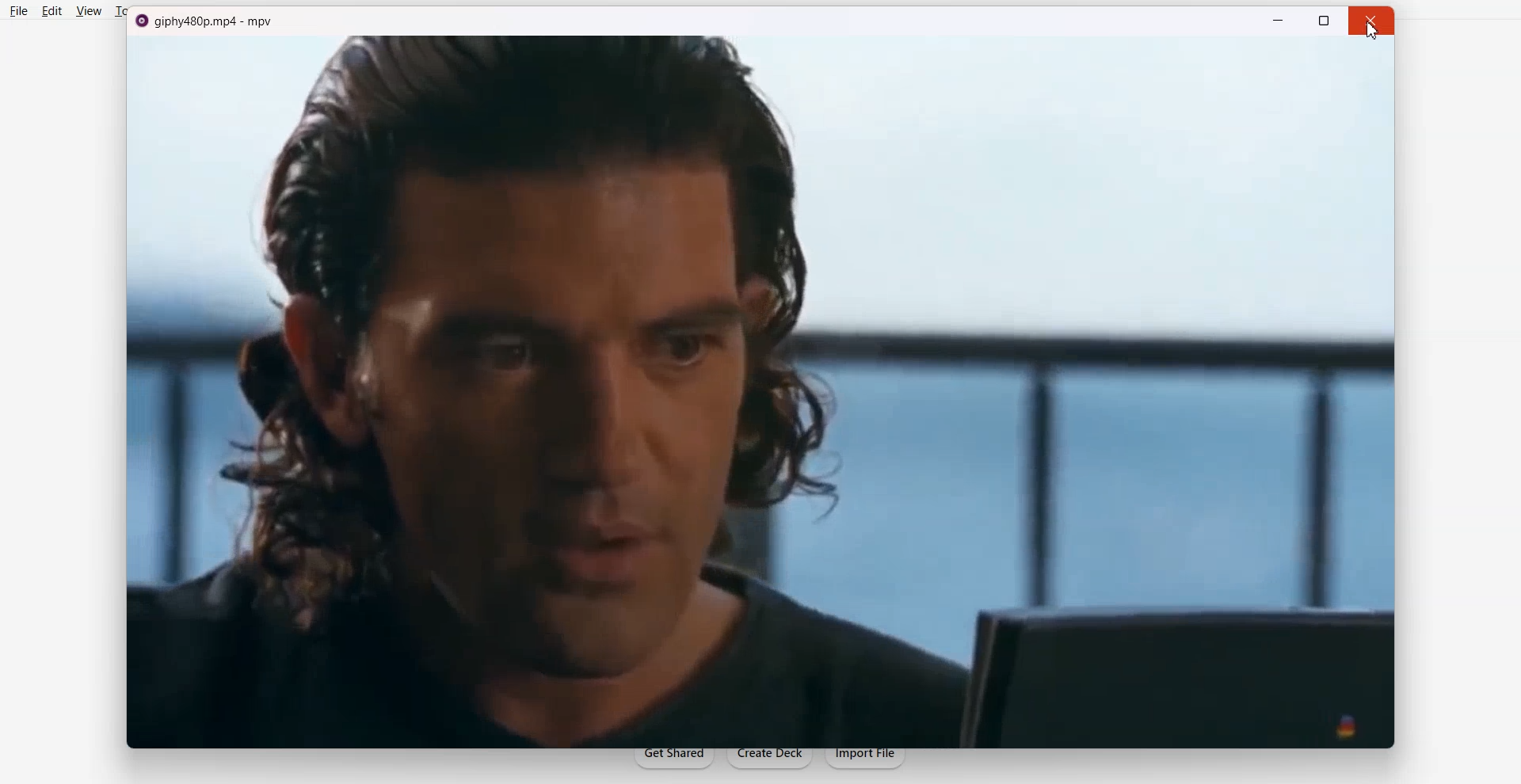 Image resolution: width=1521 pixels, height=784 pixels. I want to click on Close, so click(1370, 34).